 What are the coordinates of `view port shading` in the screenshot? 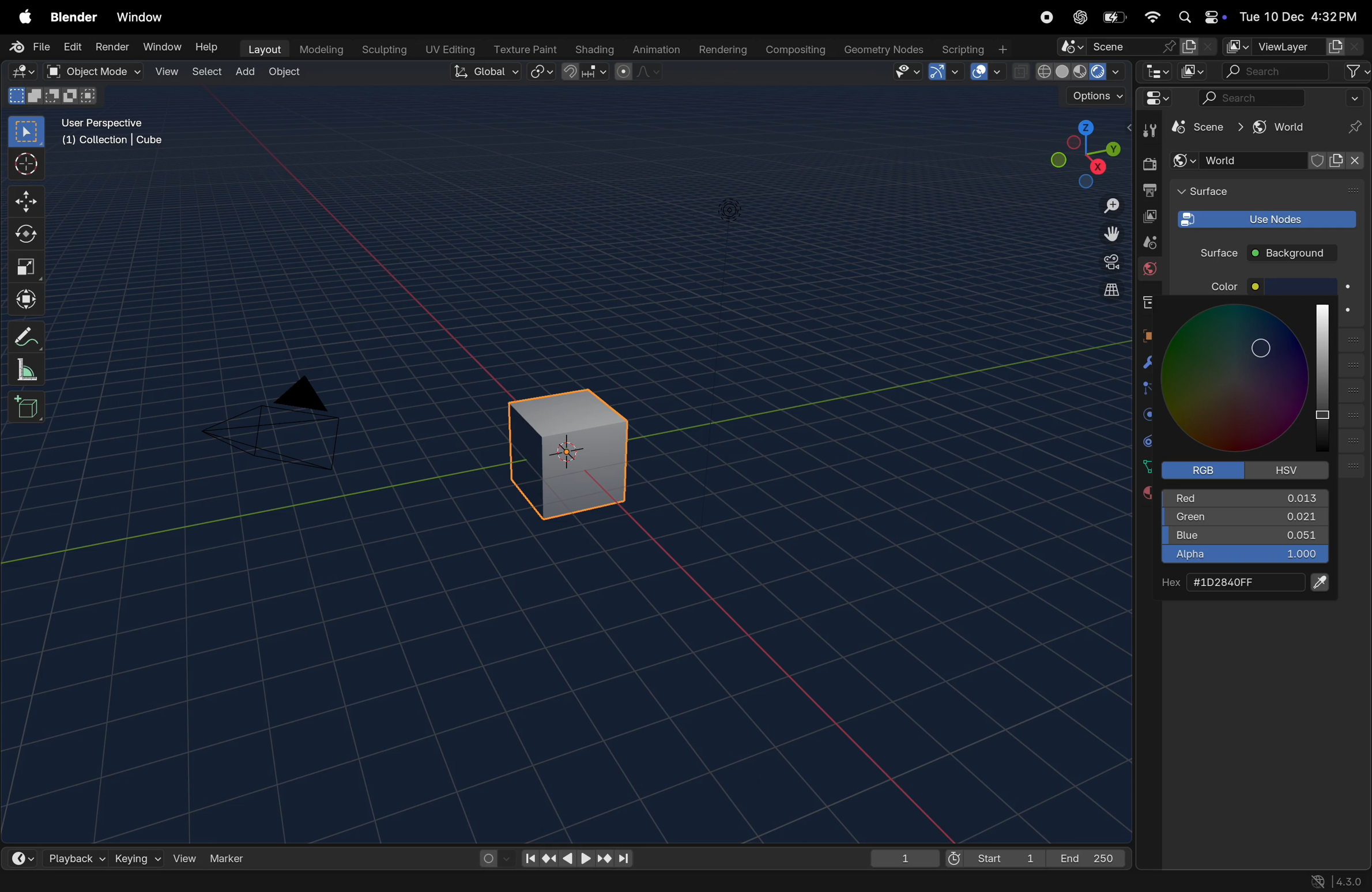 It's located at (1069, 71).